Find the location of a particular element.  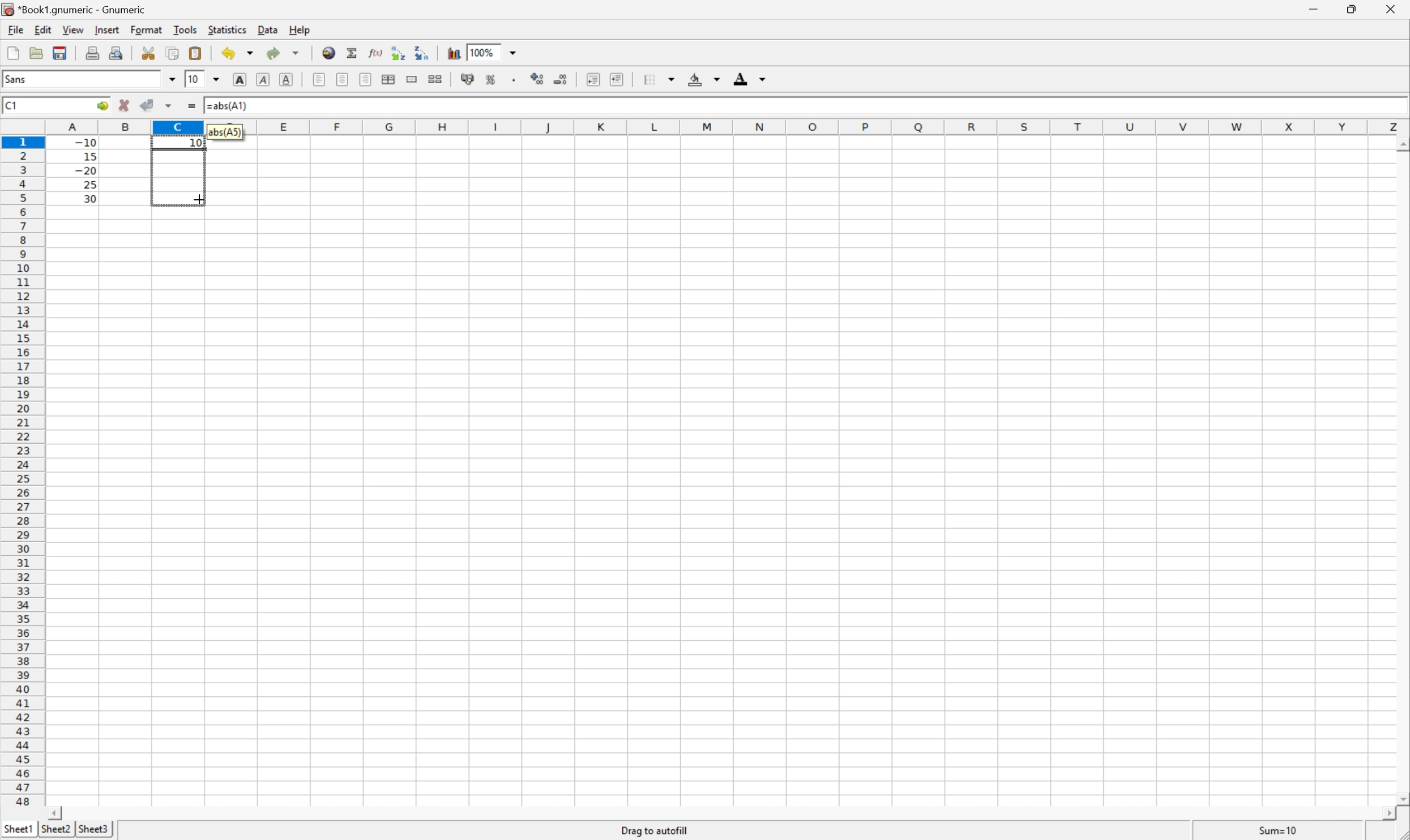

center horizontally is located at coordinates (343, 79).